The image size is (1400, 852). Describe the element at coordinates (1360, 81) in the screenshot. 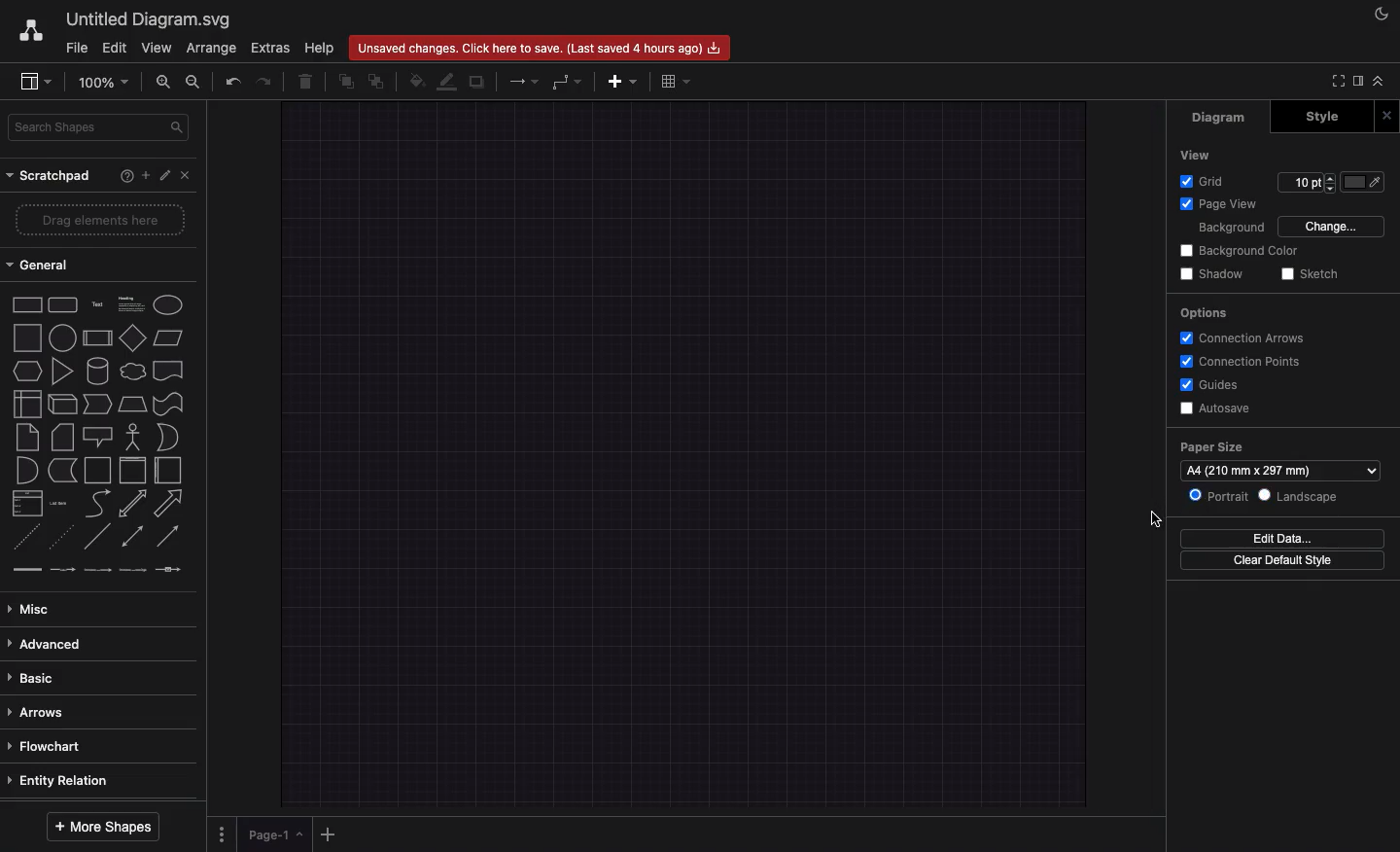

I see `Sidebar` at that location.